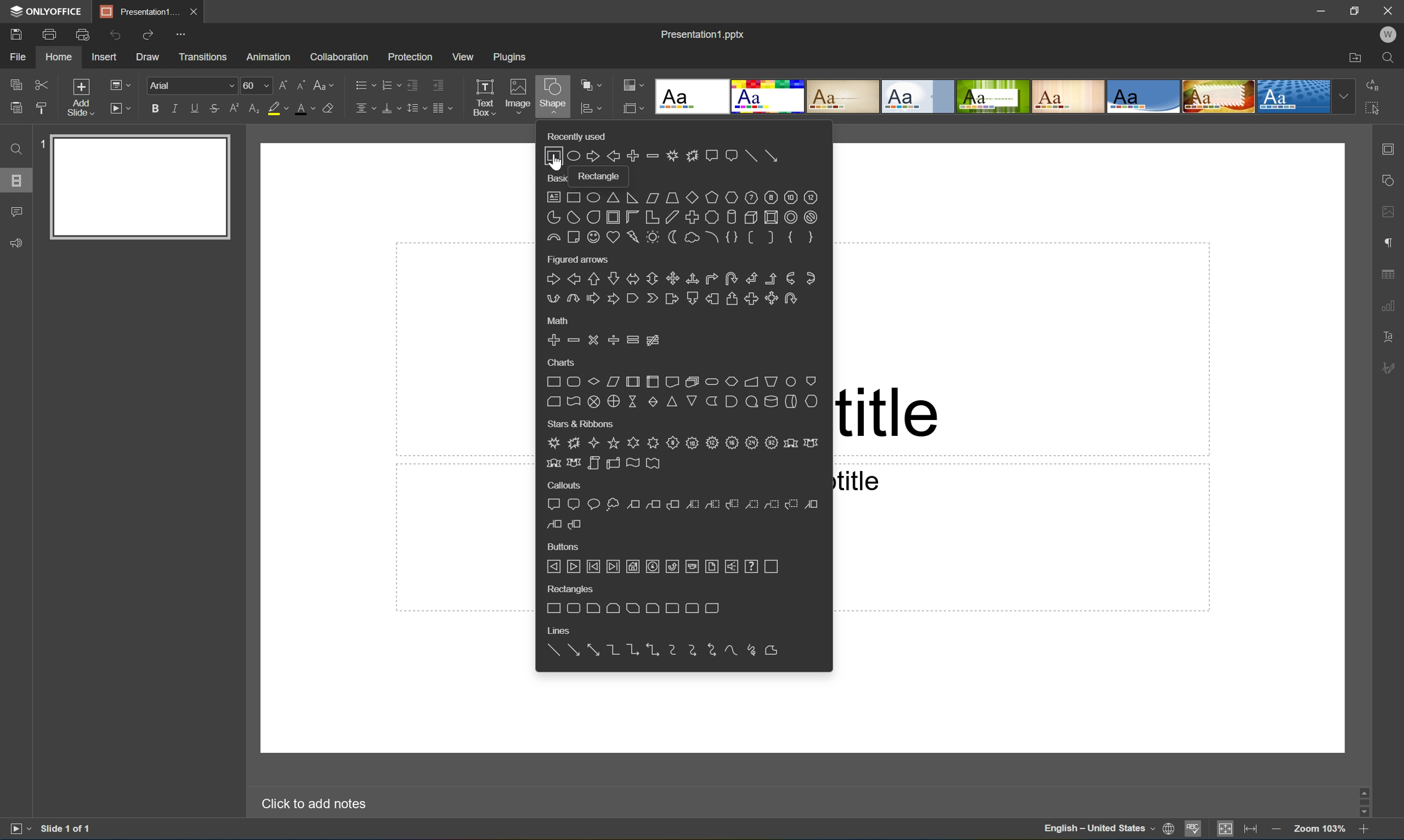 The image size is (1404, 840). Describe the element at coordinates (389, 107) in the screenshot. I see `Vertically align` at that location.